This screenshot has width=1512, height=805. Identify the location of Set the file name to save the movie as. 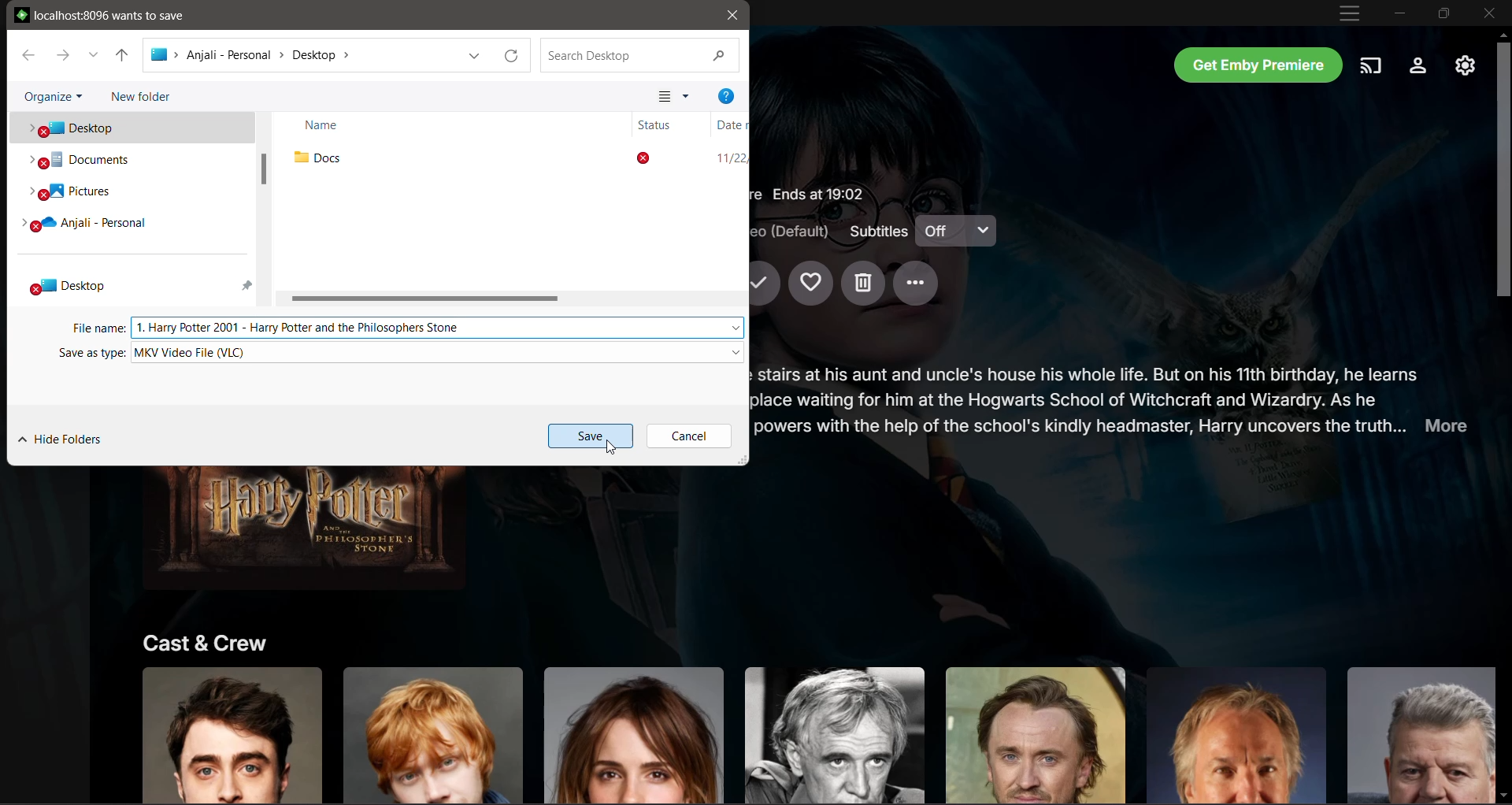
(438, 327).